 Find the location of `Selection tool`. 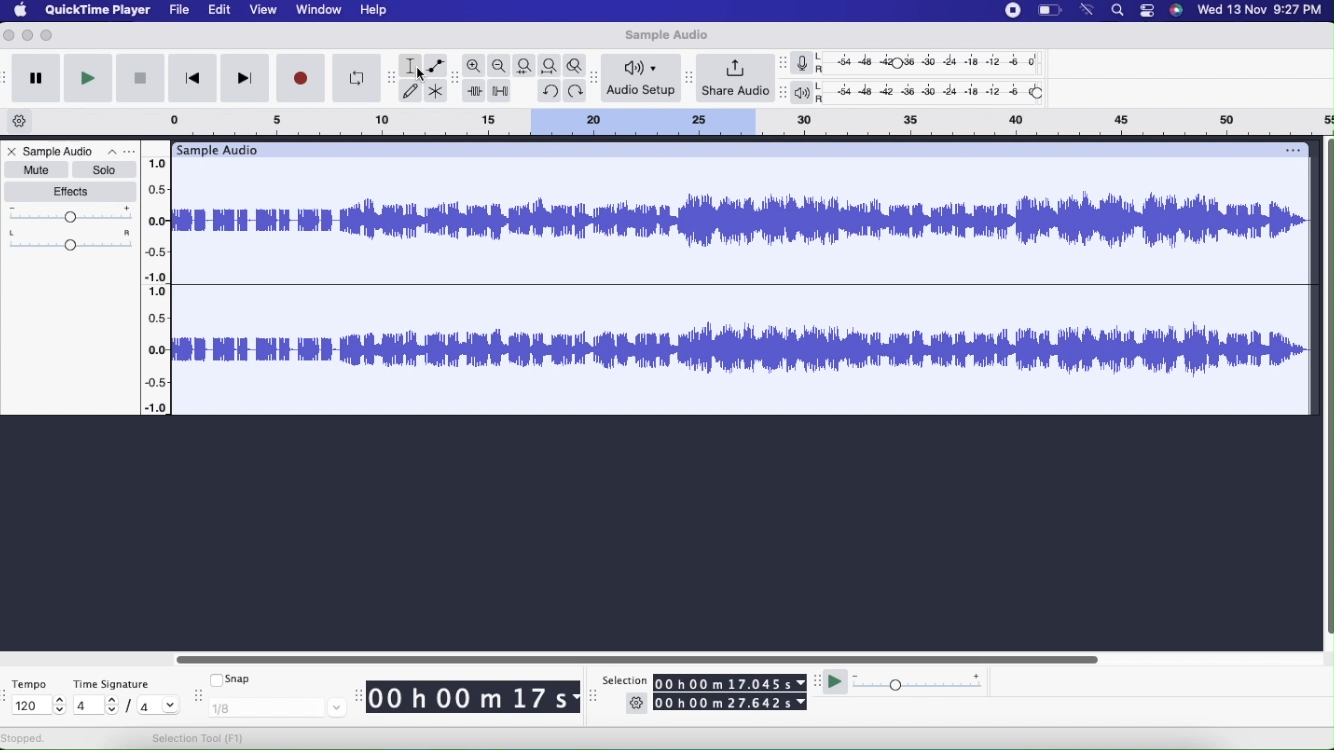

Selection tool is located at coordinates (411, 66).